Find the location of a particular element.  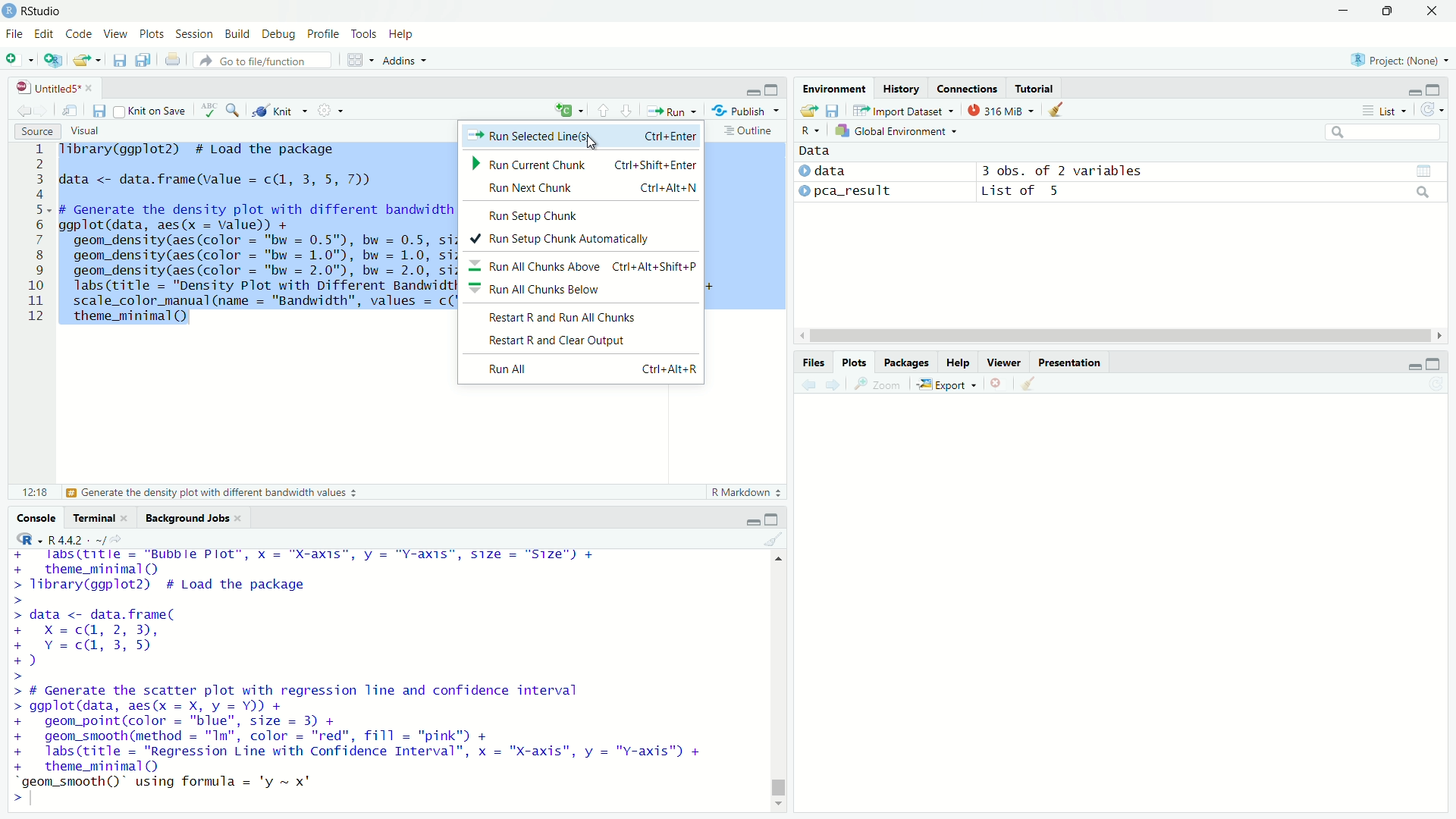

Files is located at coordinates (813, 362).